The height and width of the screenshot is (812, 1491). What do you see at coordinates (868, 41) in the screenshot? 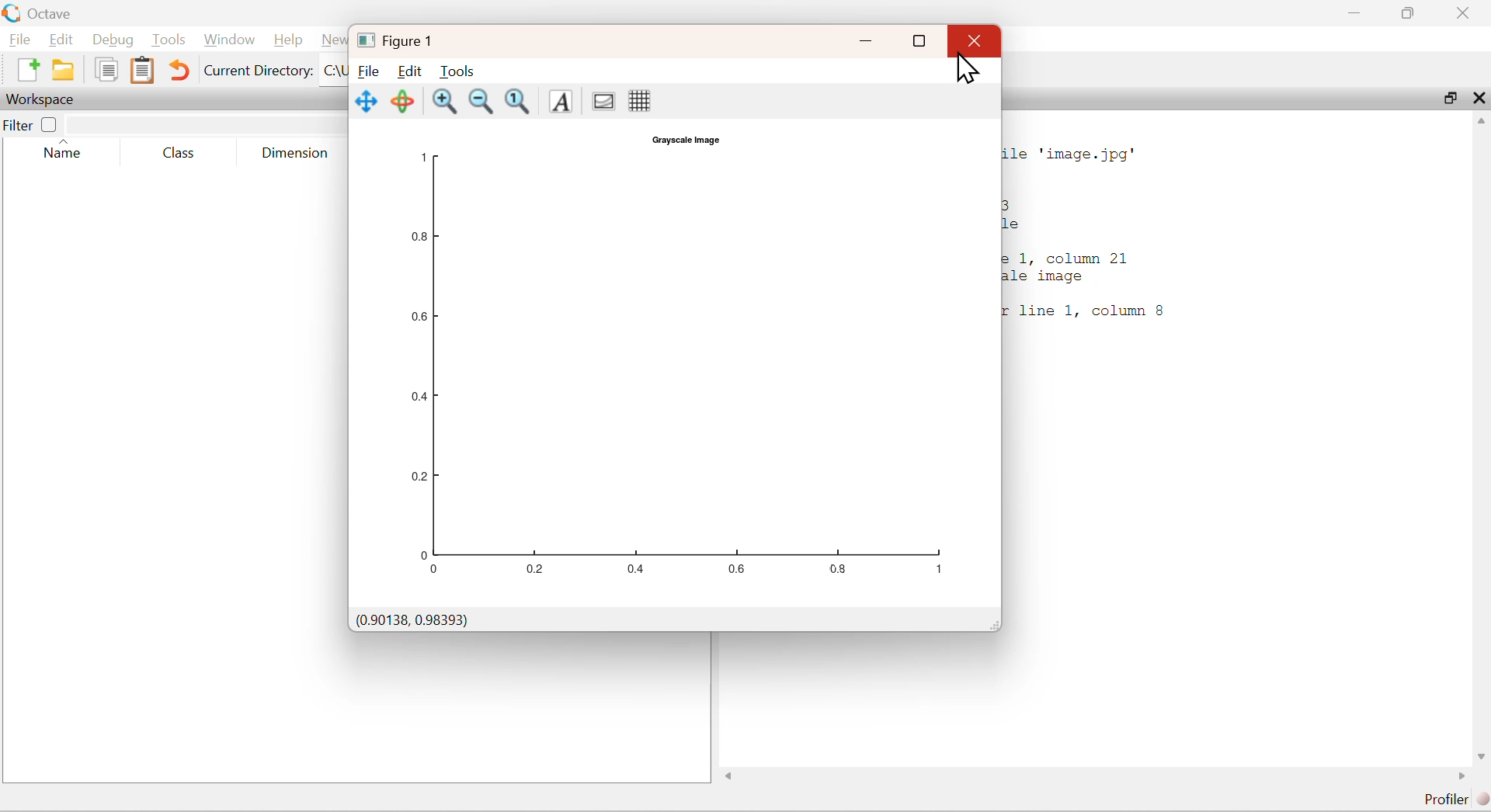
I see `Minimize` at bounding box center [868, 41].